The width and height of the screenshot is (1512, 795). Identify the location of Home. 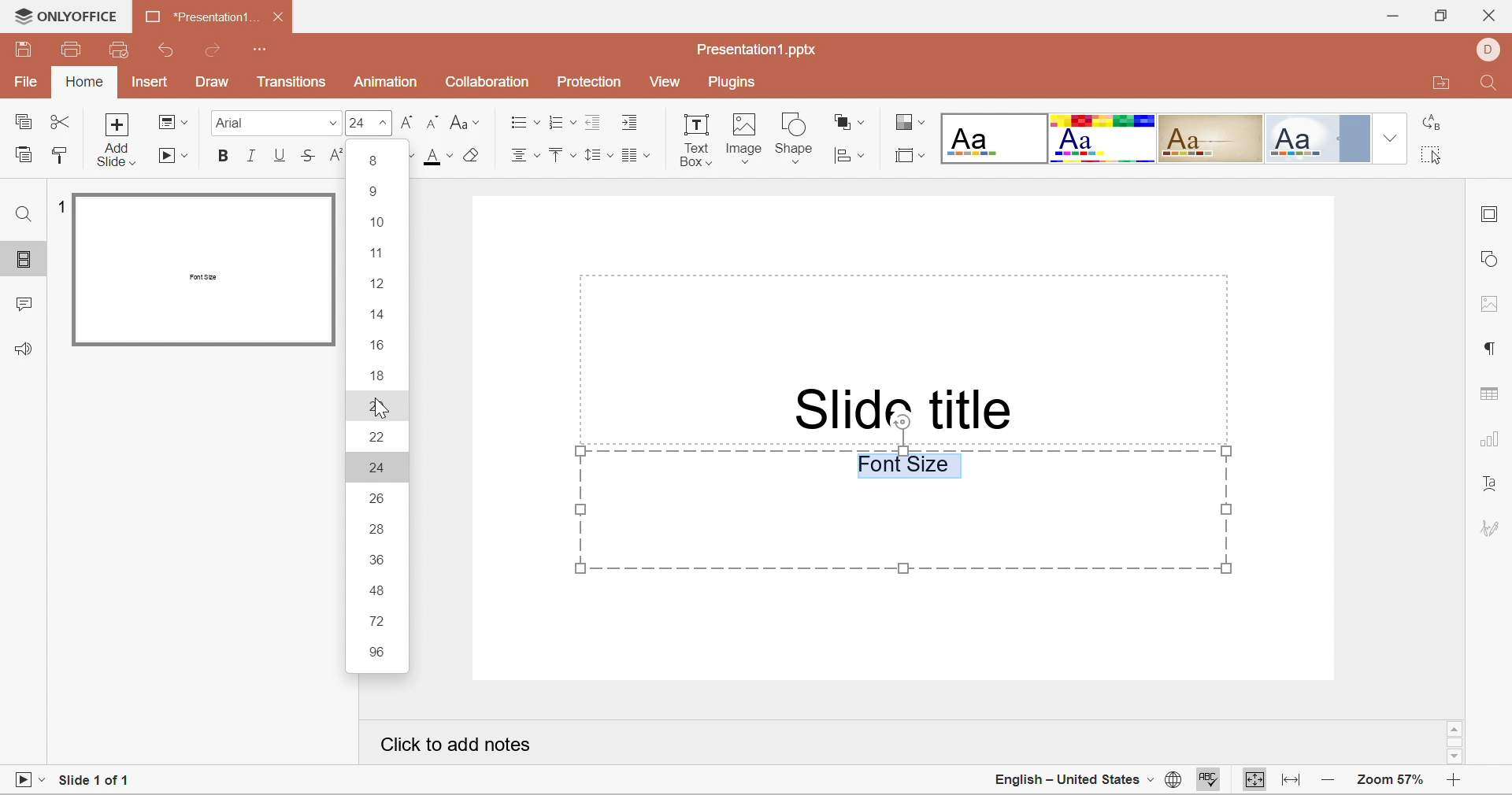
(83, 83).